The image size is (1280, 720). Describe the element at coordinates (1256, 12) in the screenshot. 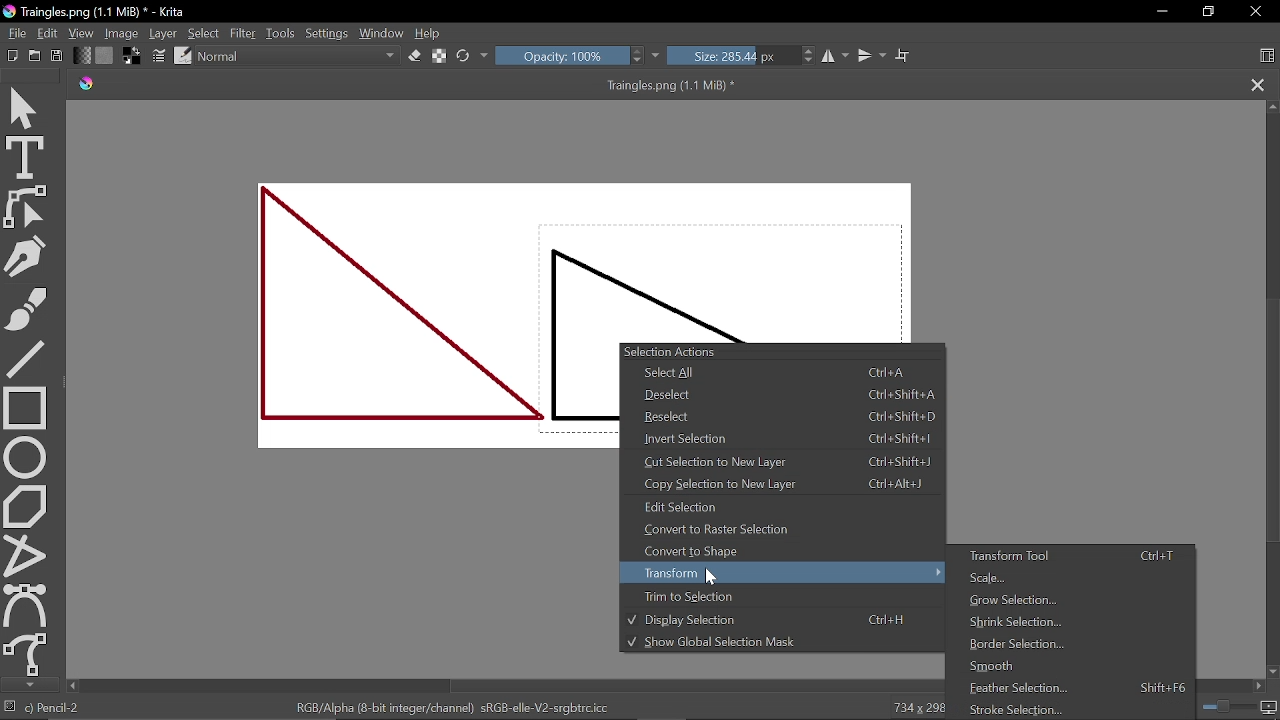

I see `CLose` at that location.